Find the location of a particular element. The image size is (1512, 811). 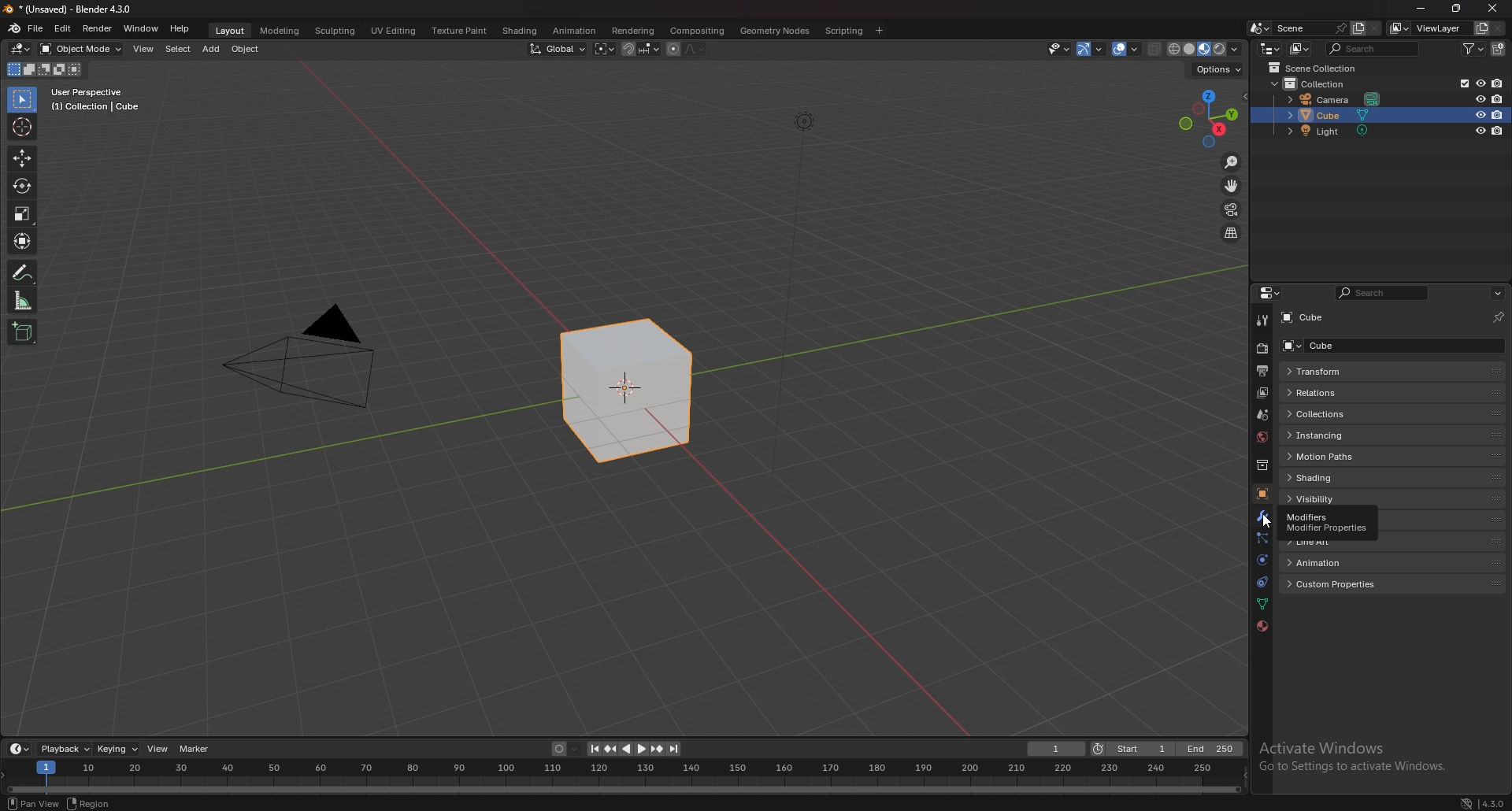

selected cube is located at coordinates (631, 389).